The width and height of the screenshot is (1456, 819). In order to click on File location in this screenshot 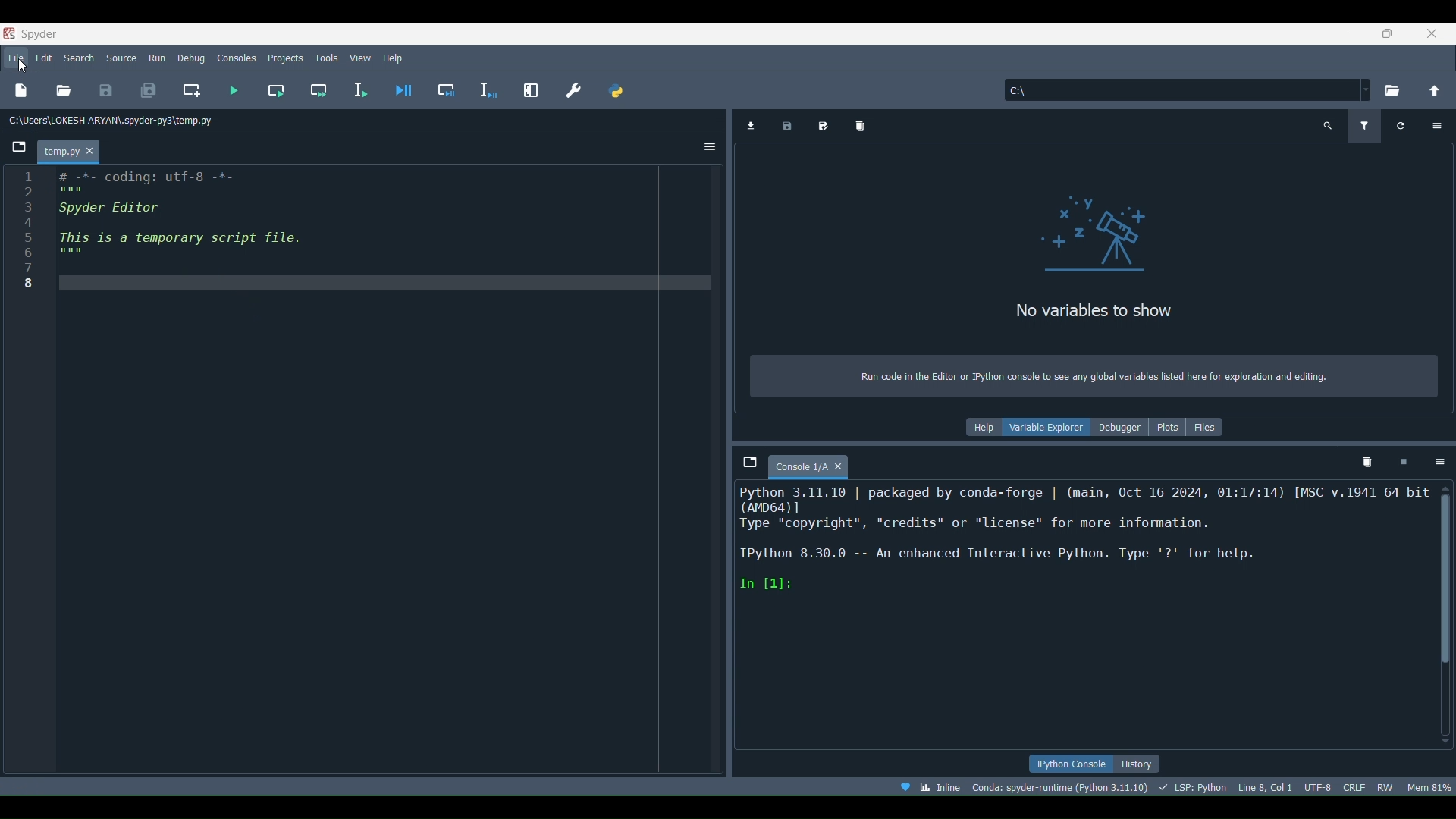, I will do `click(108, 119)`.